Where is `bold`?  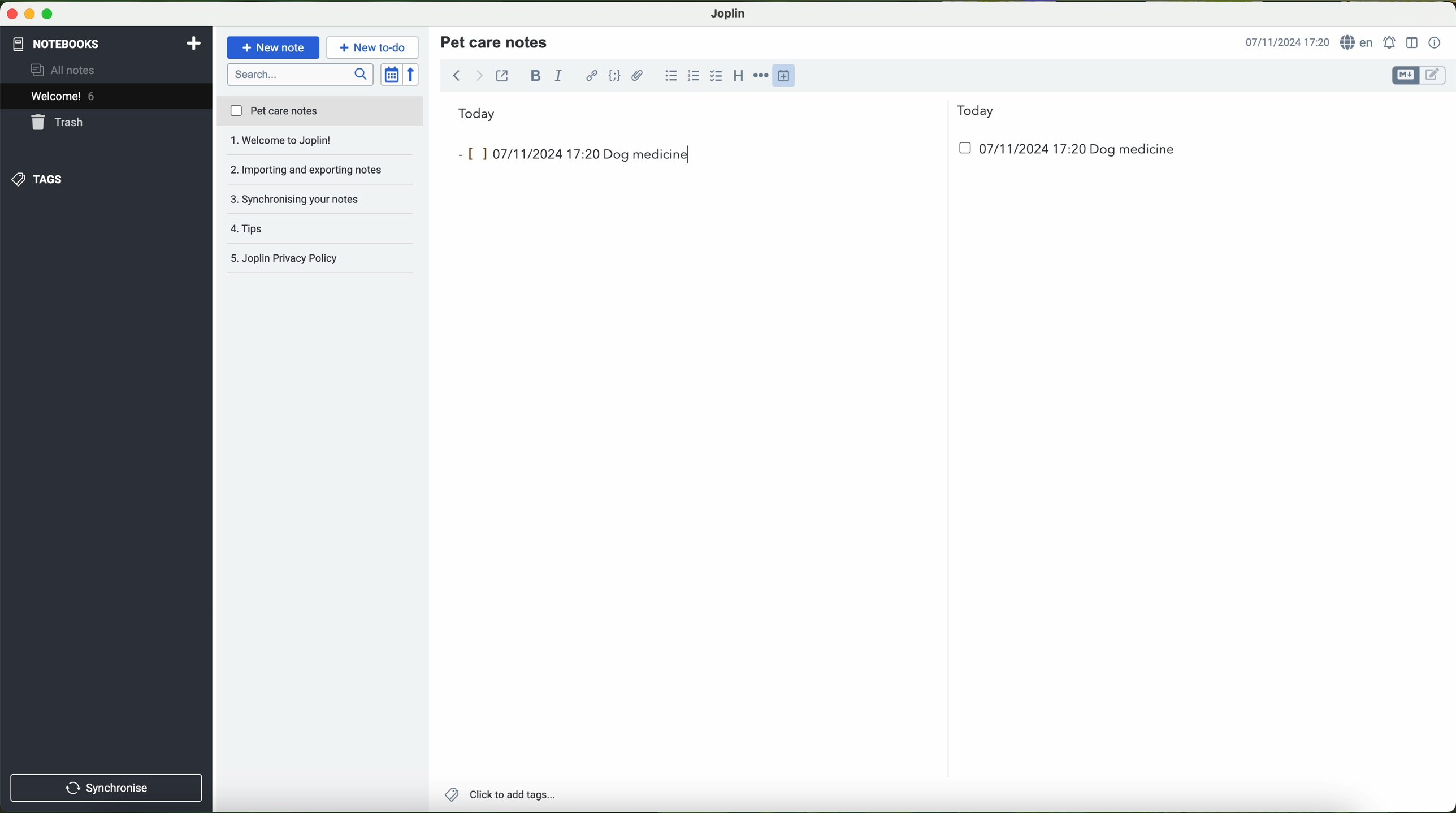 bold is located at coordinates (536, 75).